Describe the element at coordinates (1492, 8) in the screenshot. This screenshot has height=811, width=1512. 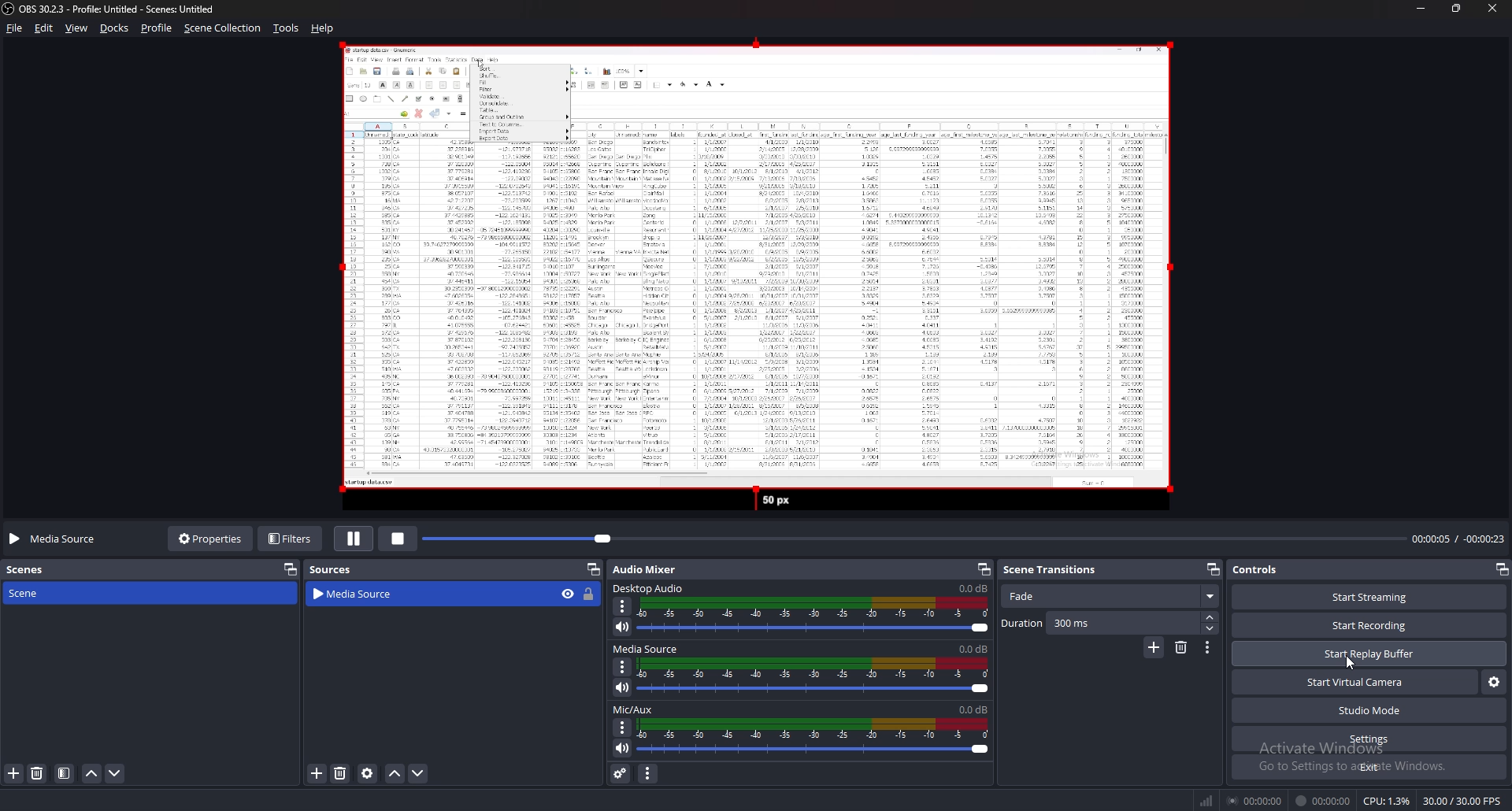
I see `close` at that location.